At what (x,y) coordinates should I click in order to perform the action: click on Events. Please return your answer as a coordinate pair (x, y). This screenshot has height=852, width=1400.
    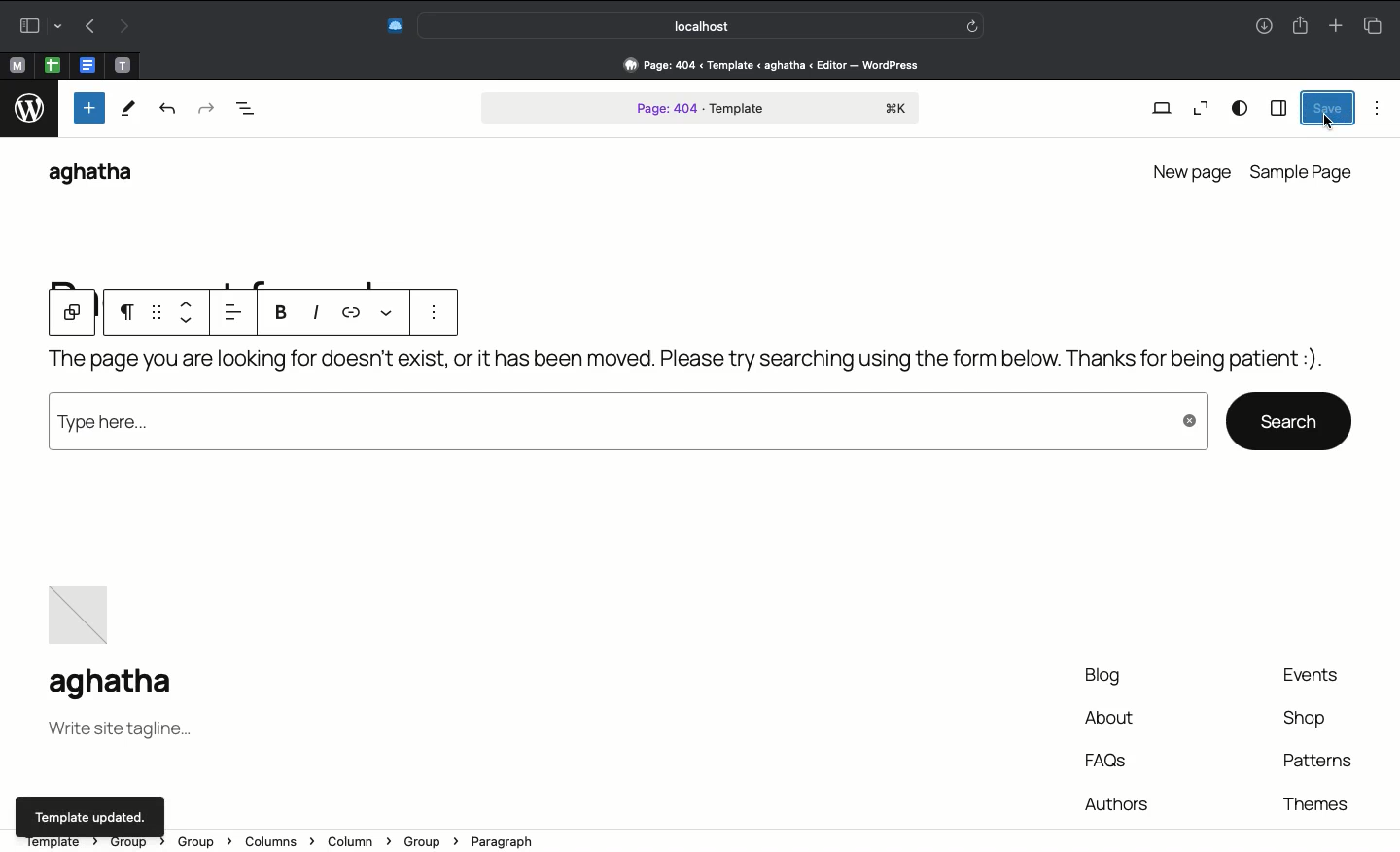
    Looking at the image, I should click on (1320, 676).